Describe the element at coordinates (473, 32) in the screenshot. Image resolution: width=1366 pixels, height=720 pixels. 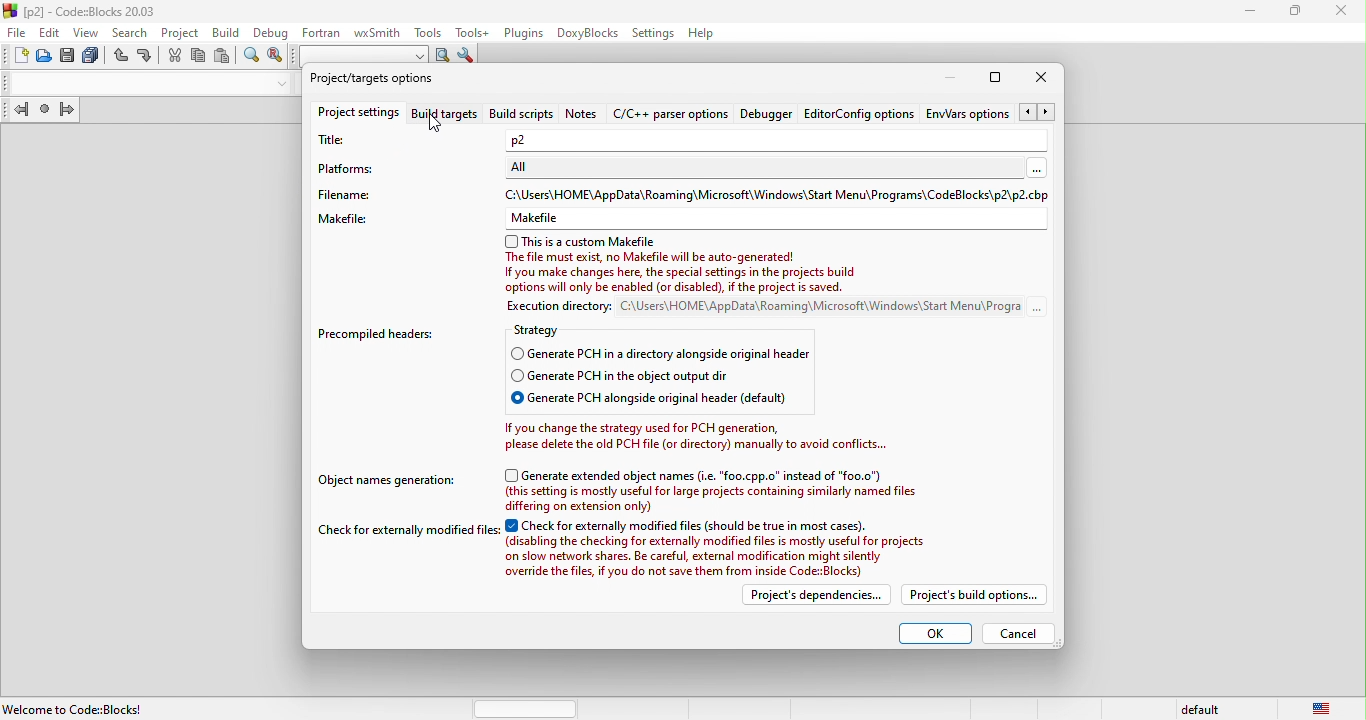
I see `tools++` at that location.